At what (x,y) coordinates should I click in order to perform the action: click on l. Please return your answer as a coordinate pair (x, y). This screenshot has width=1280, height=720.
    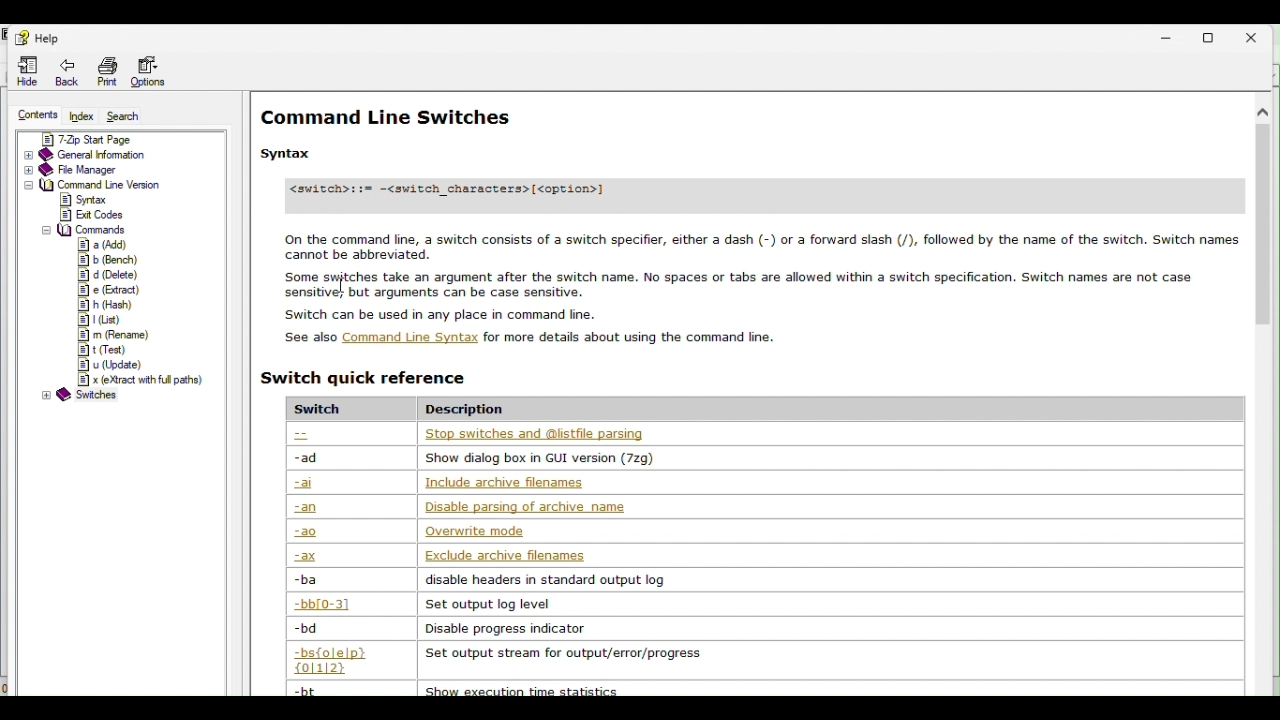
    Looking at the image, I should click on (96, 321).